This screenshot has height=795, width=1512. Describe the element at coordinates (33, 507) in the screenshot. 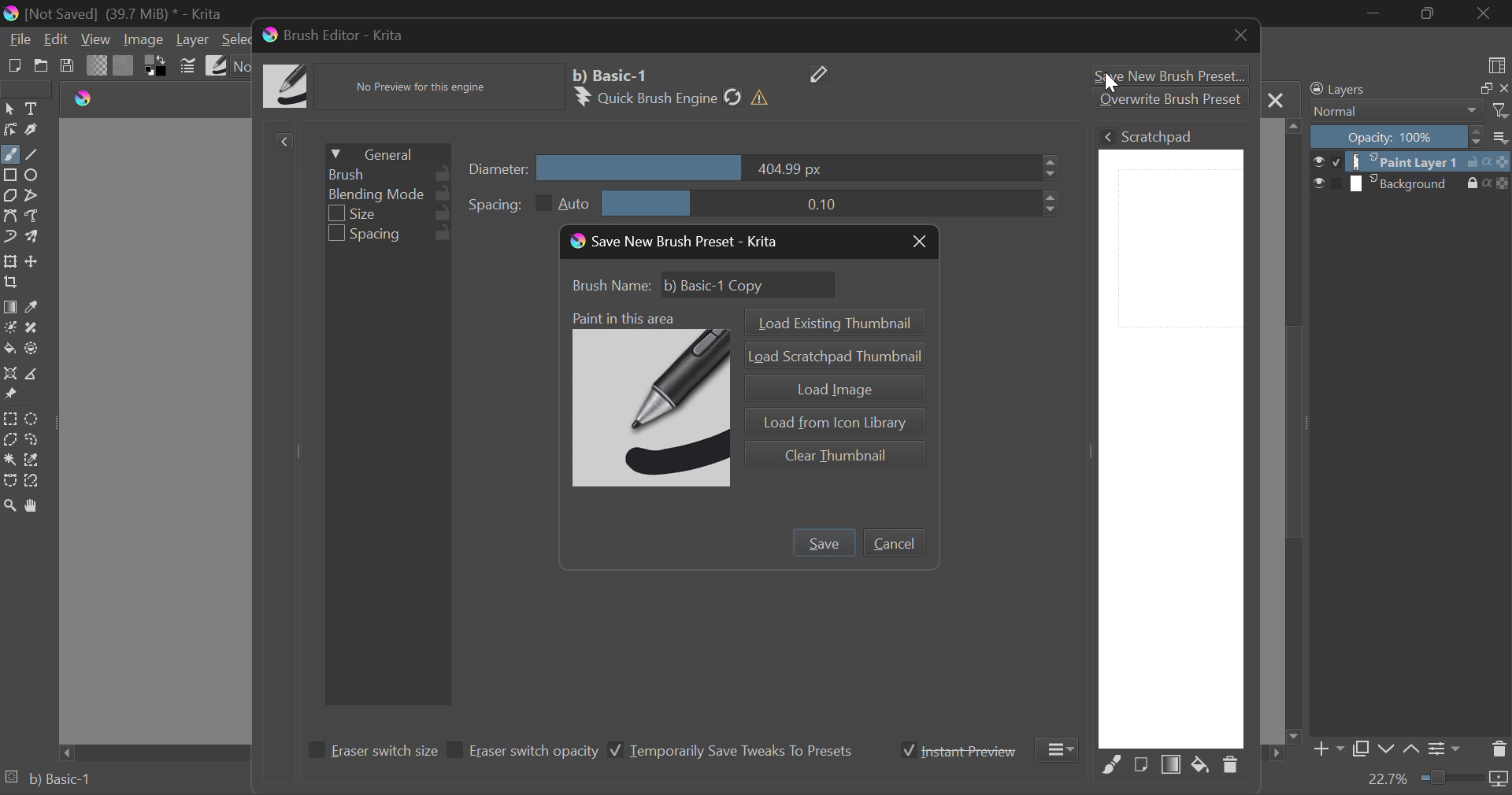

I see `Pan` at that location.